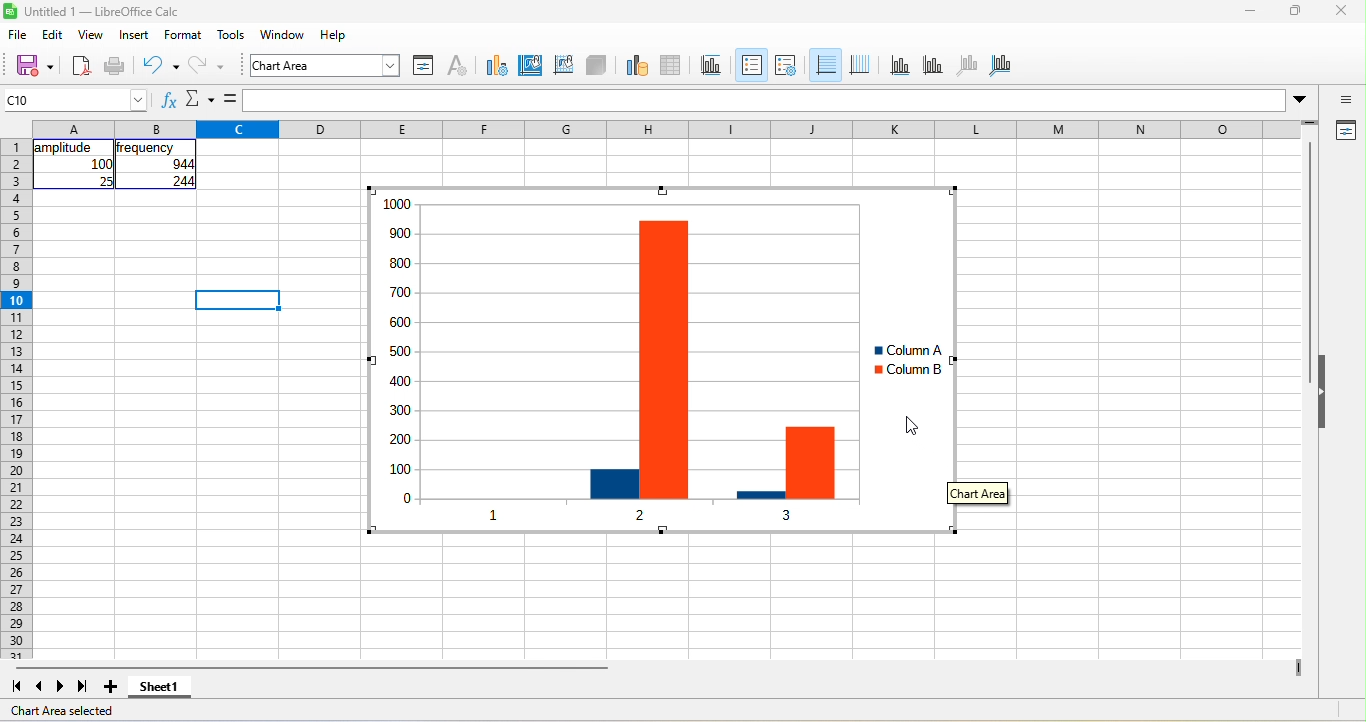  What do you see at coordinates (101, 164) in the screenshot?
I see `100` at bounding box center [101, 164].